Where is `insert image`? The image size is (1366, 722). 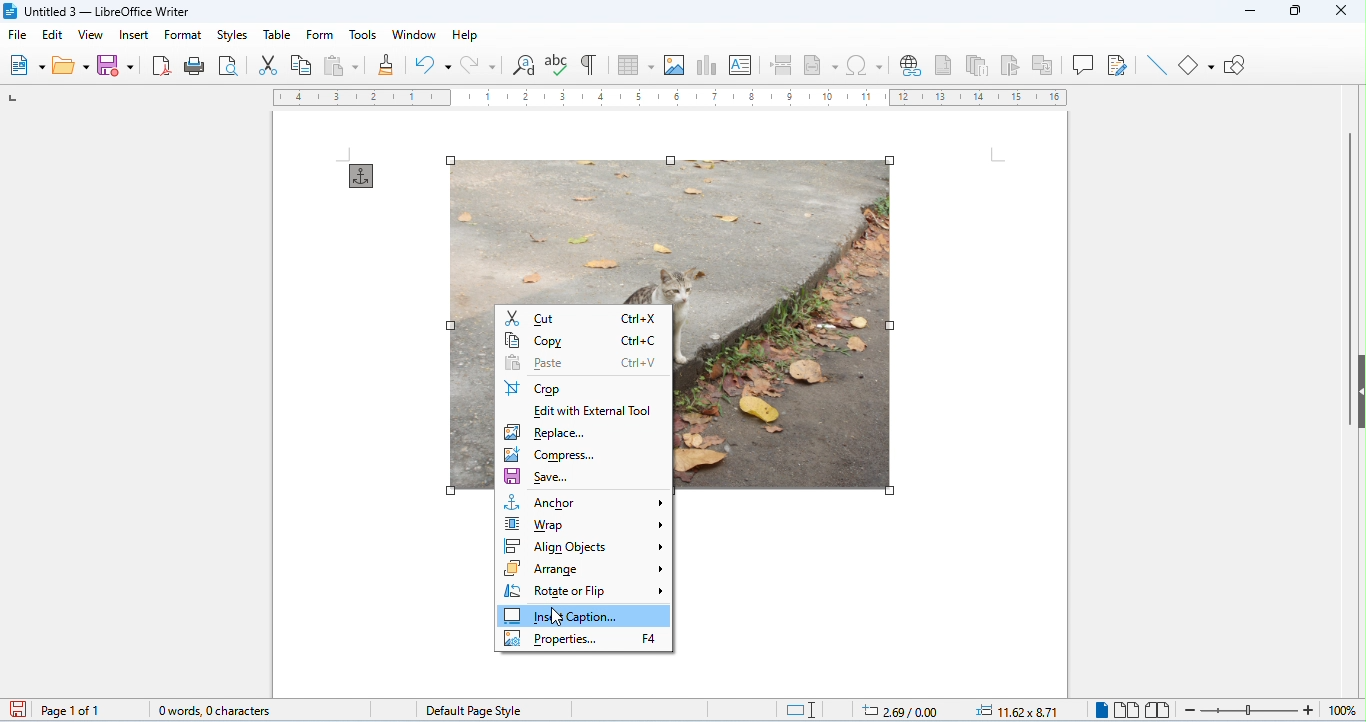
insert image is located at coordinates (675, 66).